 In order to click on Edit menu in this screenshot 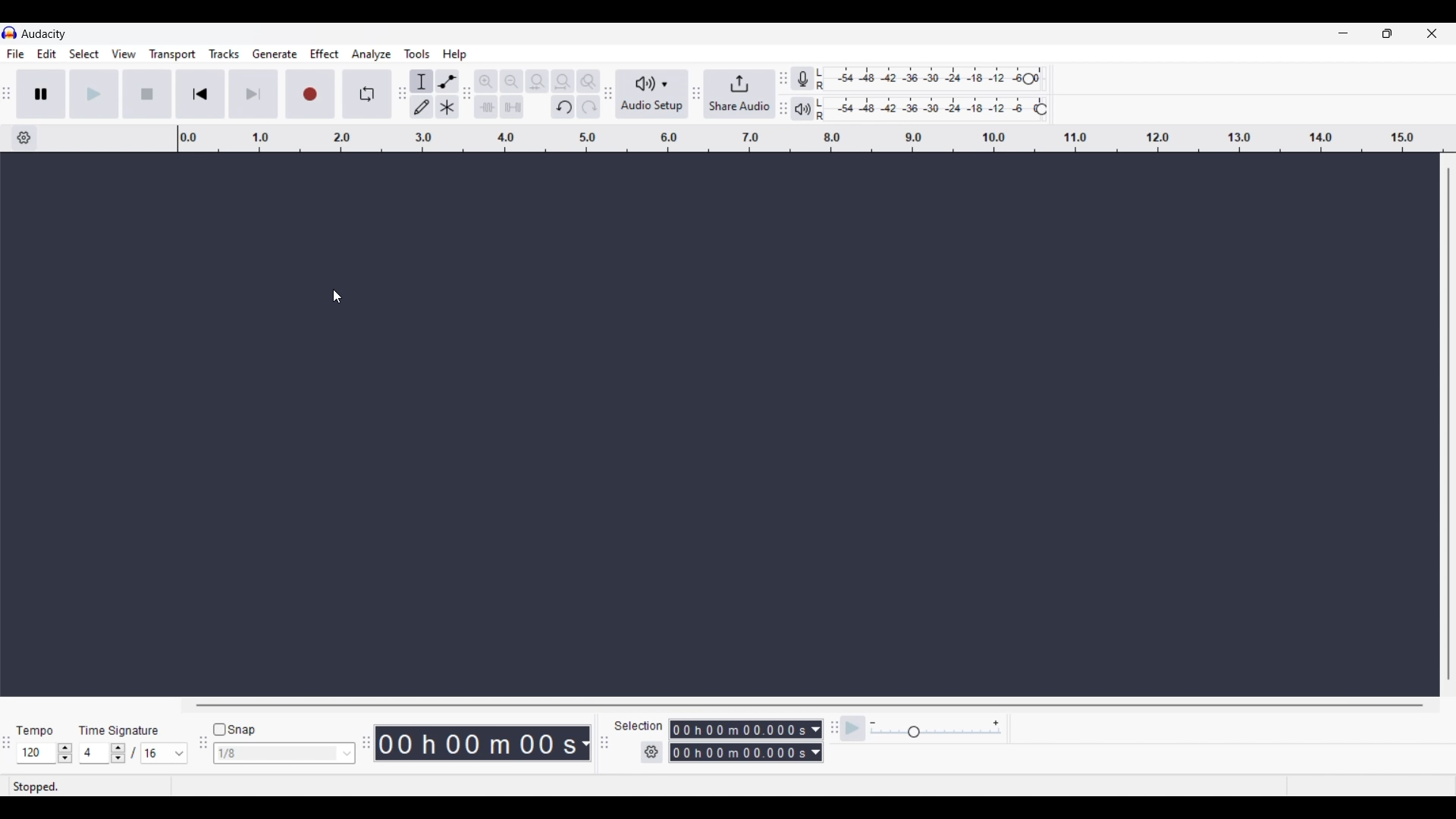, I will do `click(47, 55)`.